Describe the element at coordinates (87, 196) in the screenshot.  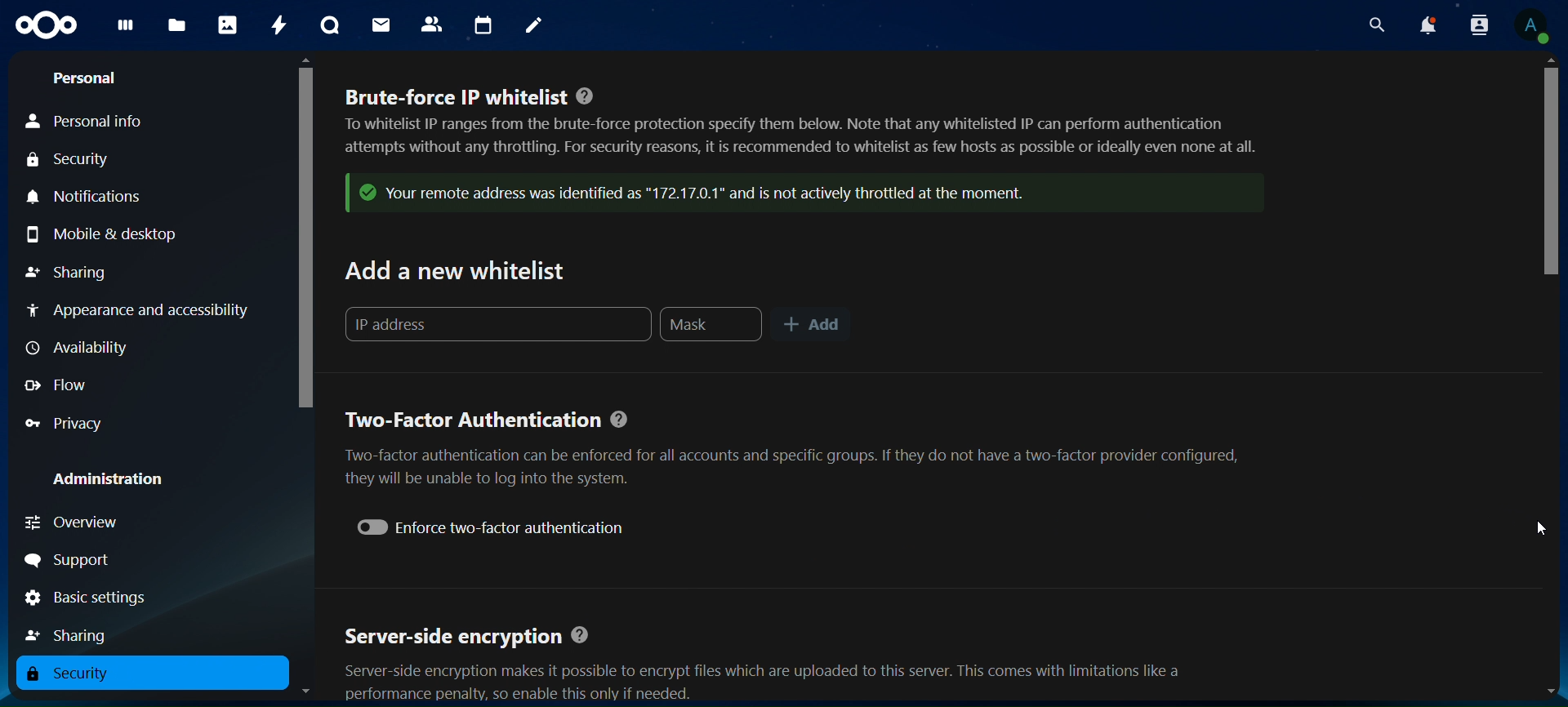
I see `notifications` at that location.